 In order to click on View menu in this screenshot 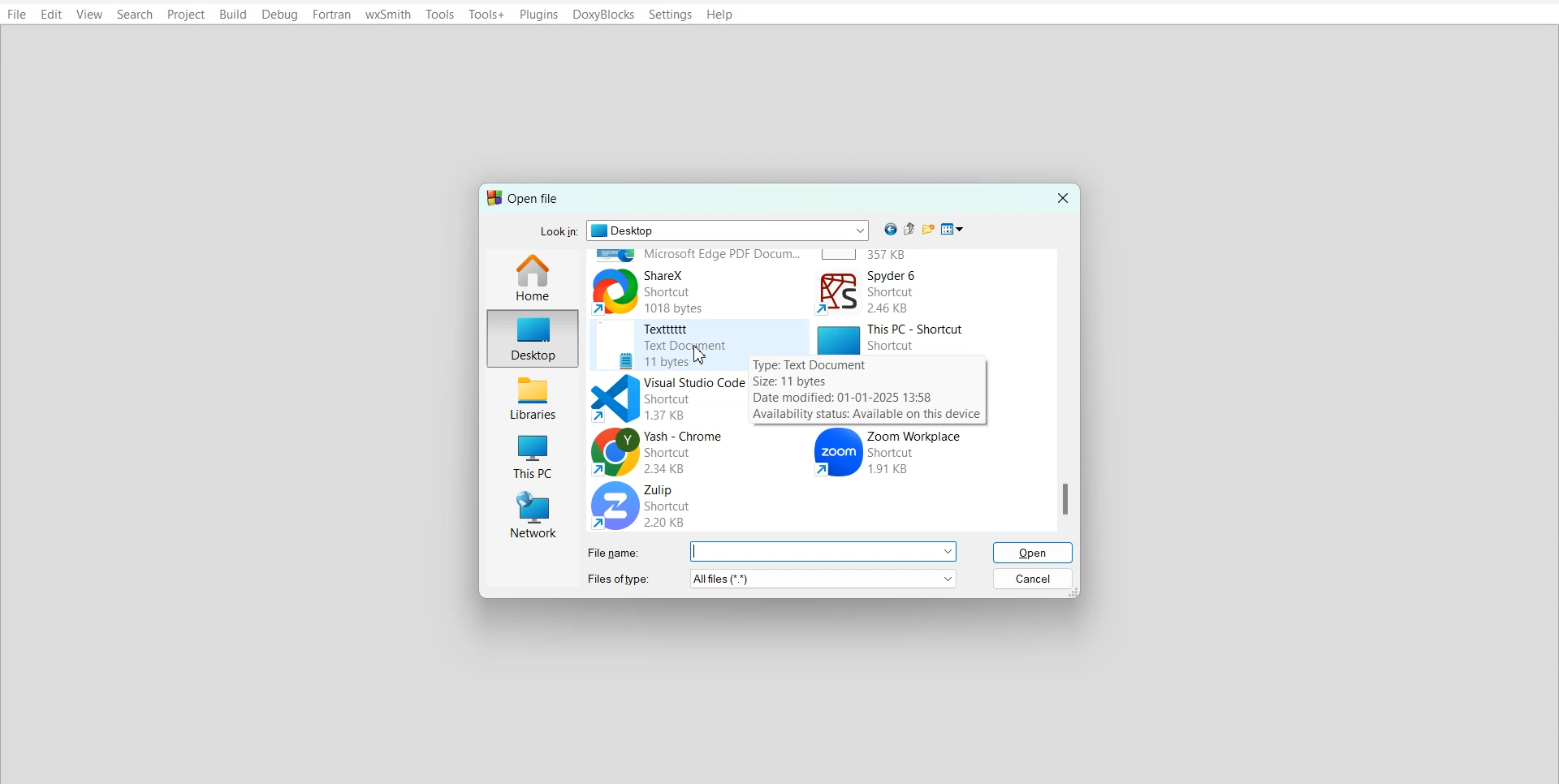, I will do `click(952, 230)`.